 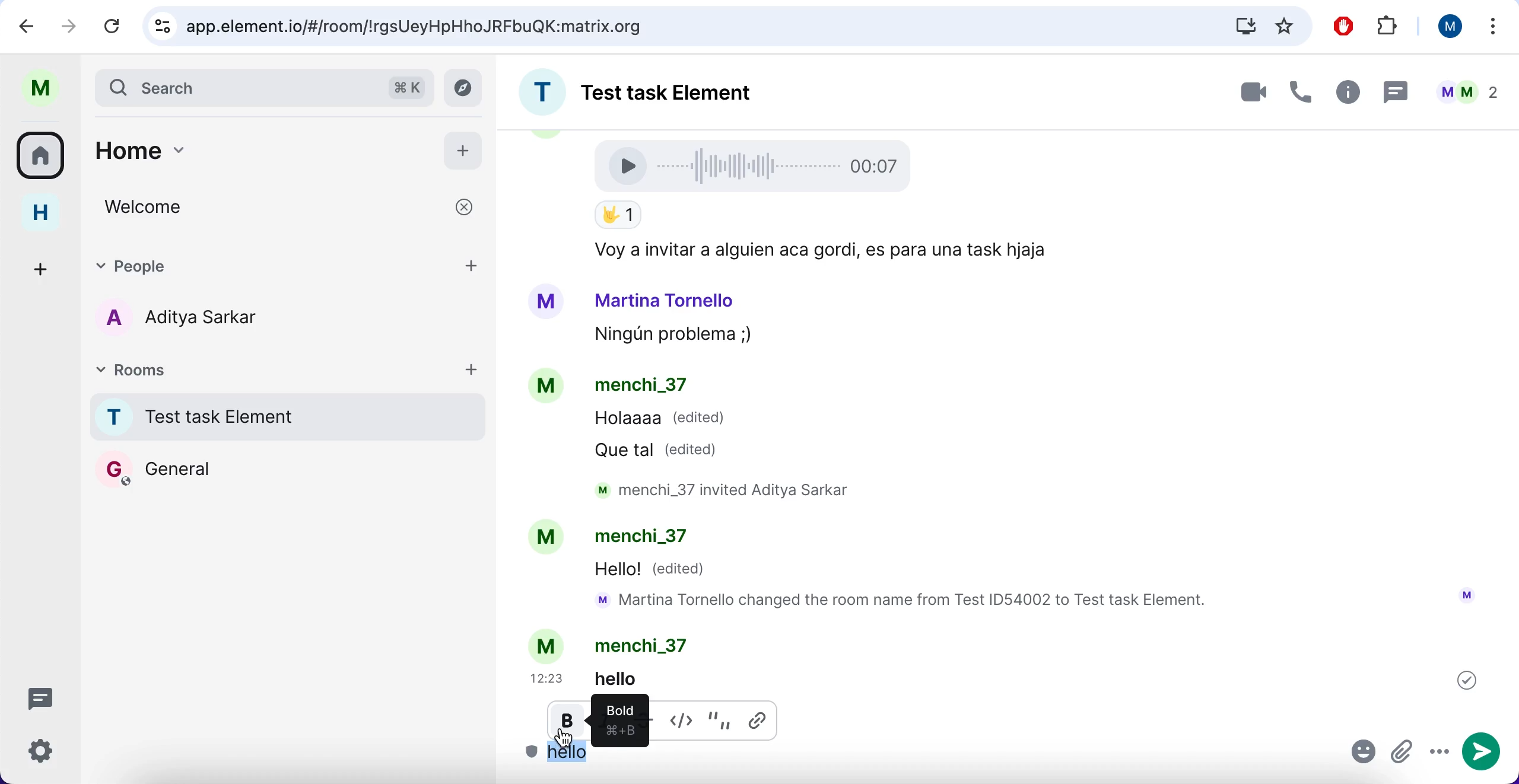 What do you see at coordinates (49, 213) in the screenshot?
I see `home` at bounding box center [49, 213].